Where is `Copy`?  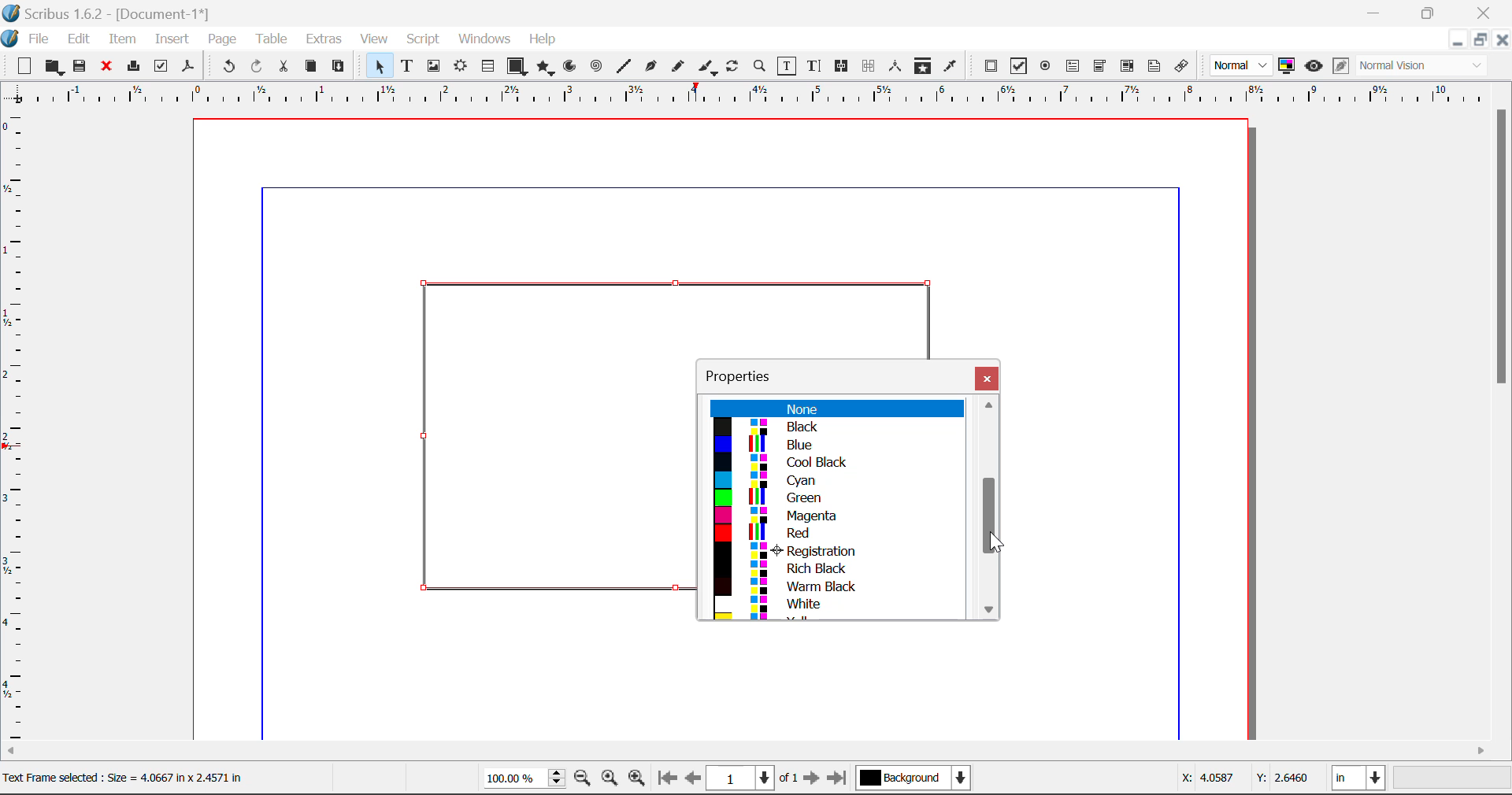
Copy is located at coordinates (310, 66).